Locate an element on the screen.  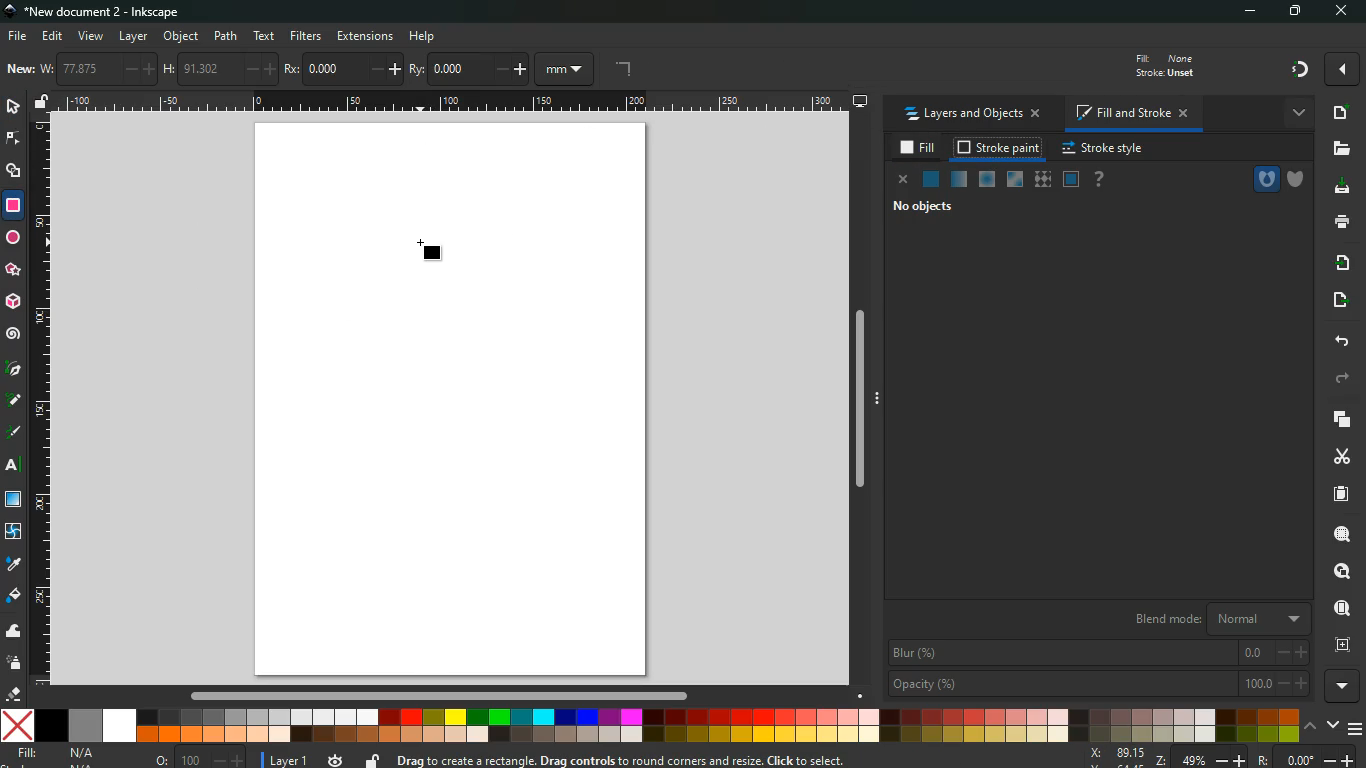
text is located at coordinates (266, 37).